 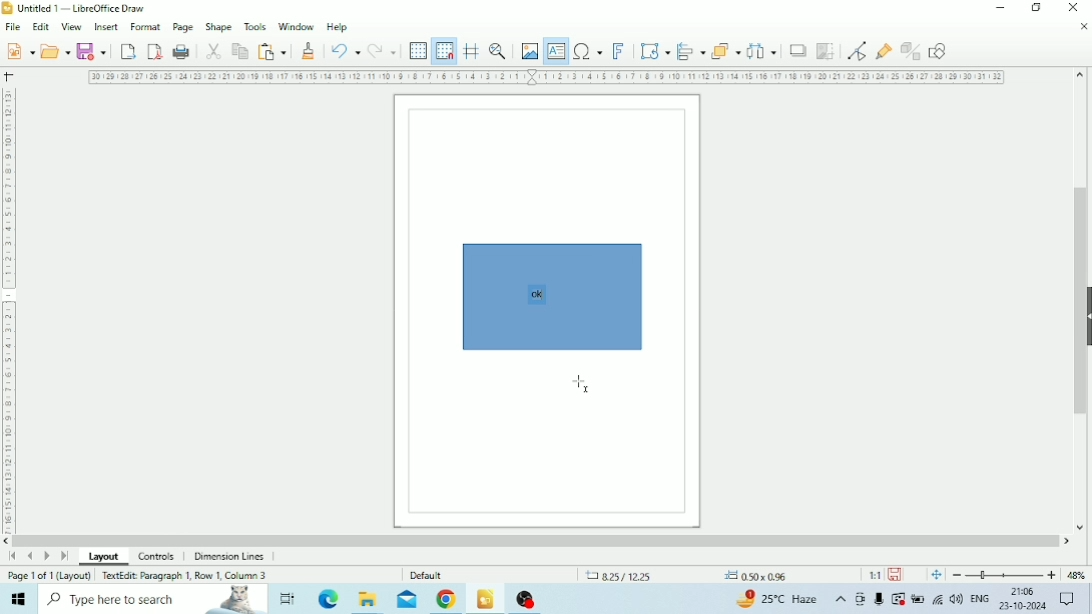 What do you see at coordinates (1002, 575) in the screenshot?
I see `Zoom Out/In` at bounding box center [1002, 575].